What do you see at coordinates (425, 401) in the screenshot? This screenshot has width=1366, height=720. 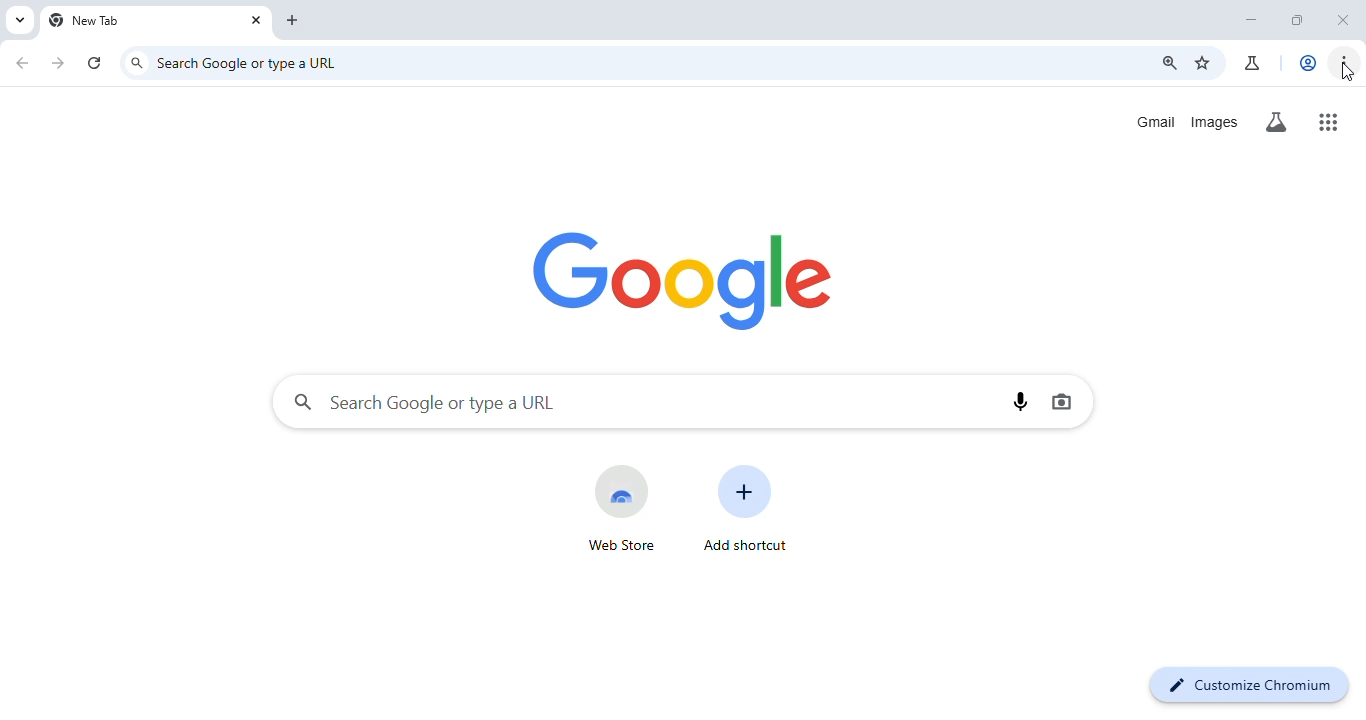 I see `search Google or type a URL` at bounding box center [425, 401].